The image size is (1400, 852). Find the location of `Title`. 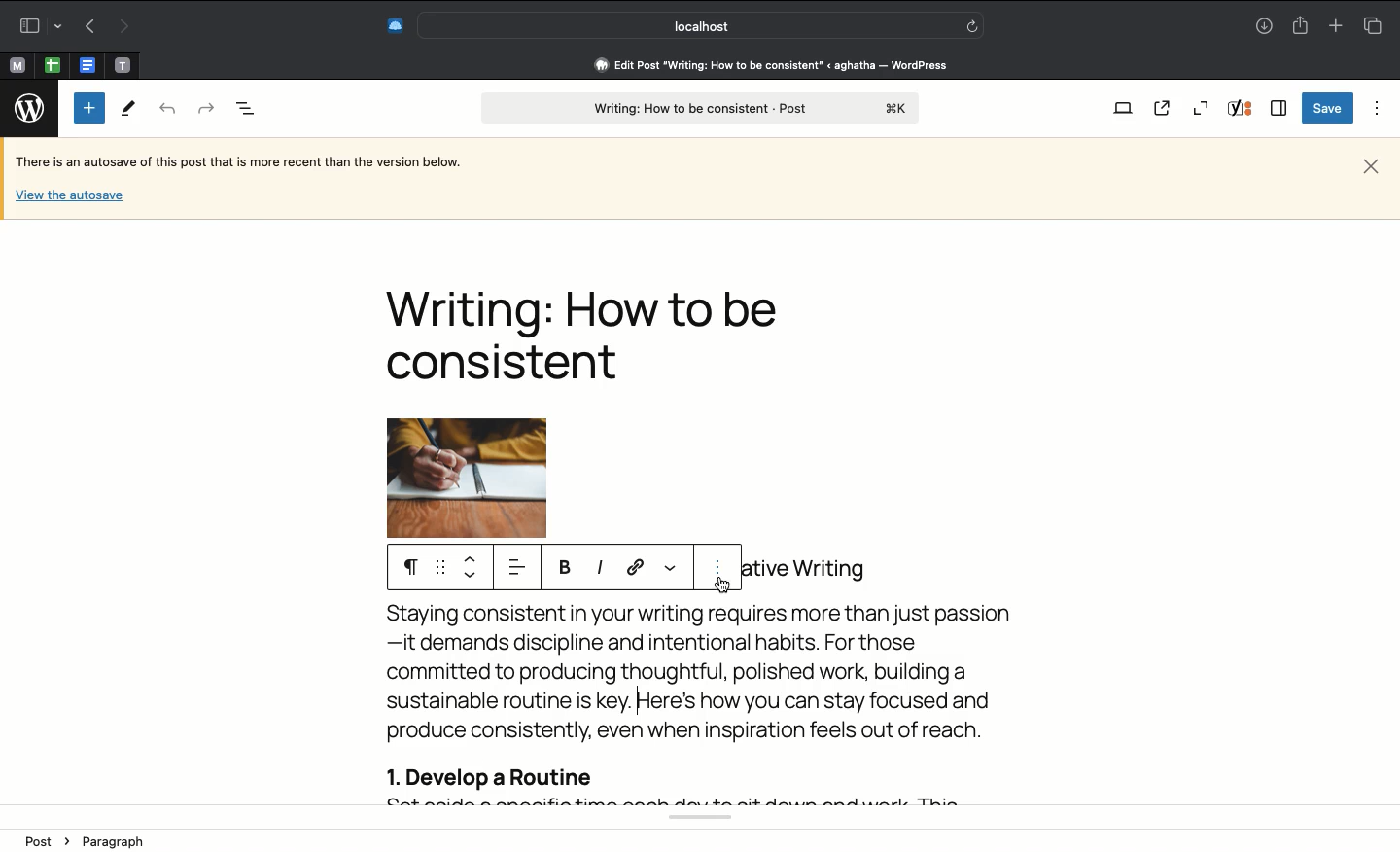

Title is located at coordinates (592, 335).